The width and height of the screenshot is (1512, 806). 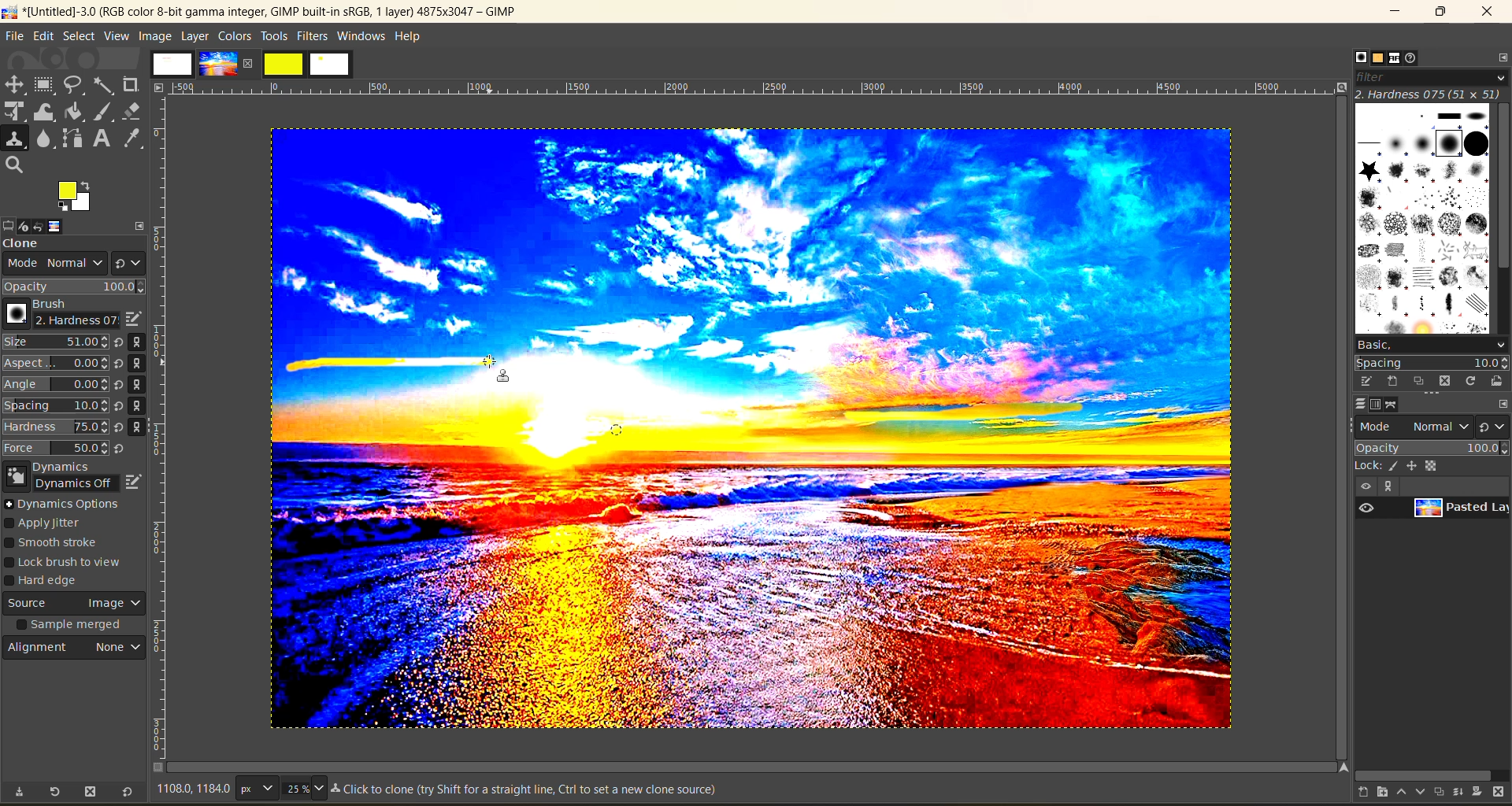 I want to click on size, so click(x=303, y=788).